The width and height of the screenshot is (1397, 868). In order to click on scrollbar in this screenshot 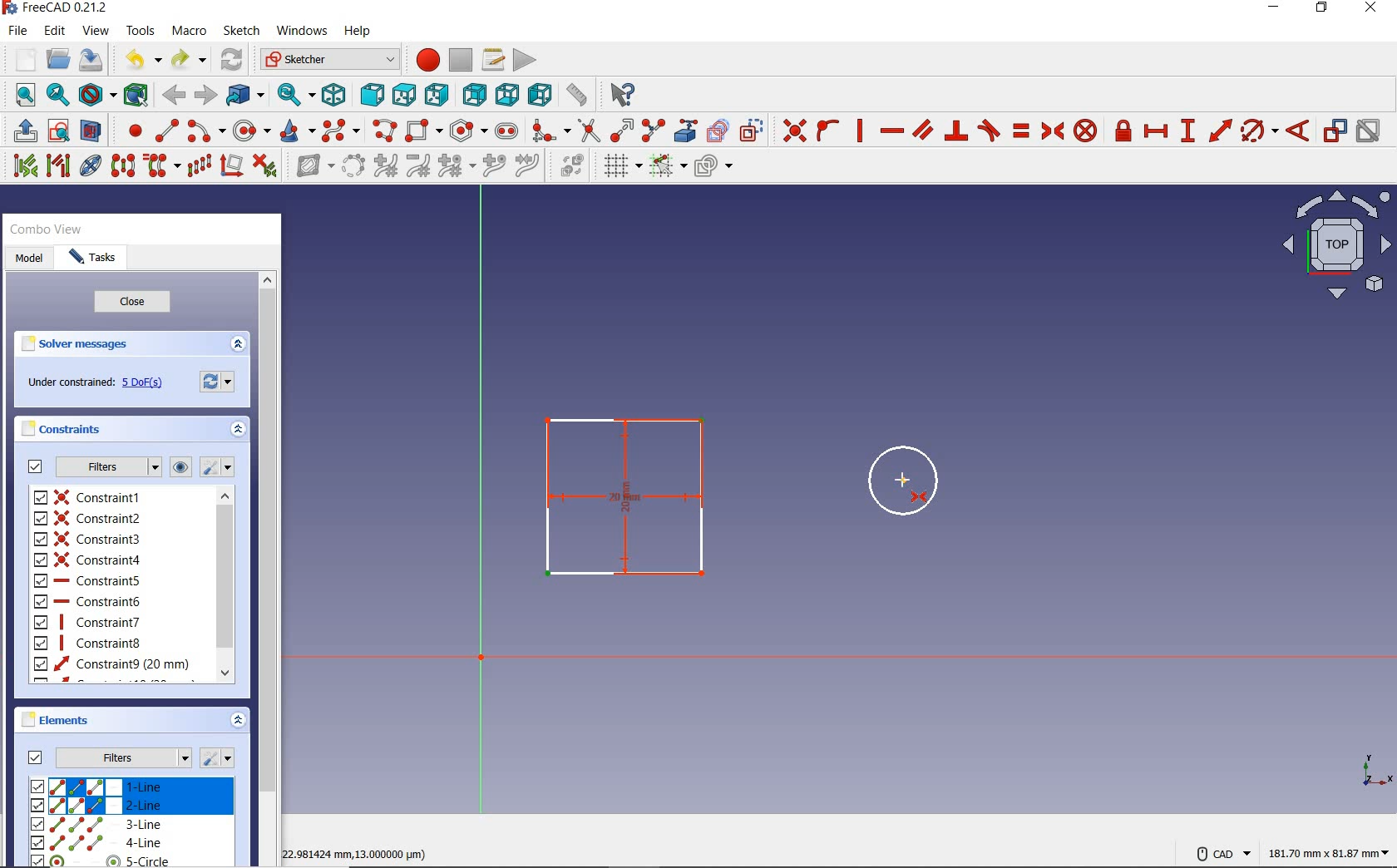, I will do `click(269, 545)`.